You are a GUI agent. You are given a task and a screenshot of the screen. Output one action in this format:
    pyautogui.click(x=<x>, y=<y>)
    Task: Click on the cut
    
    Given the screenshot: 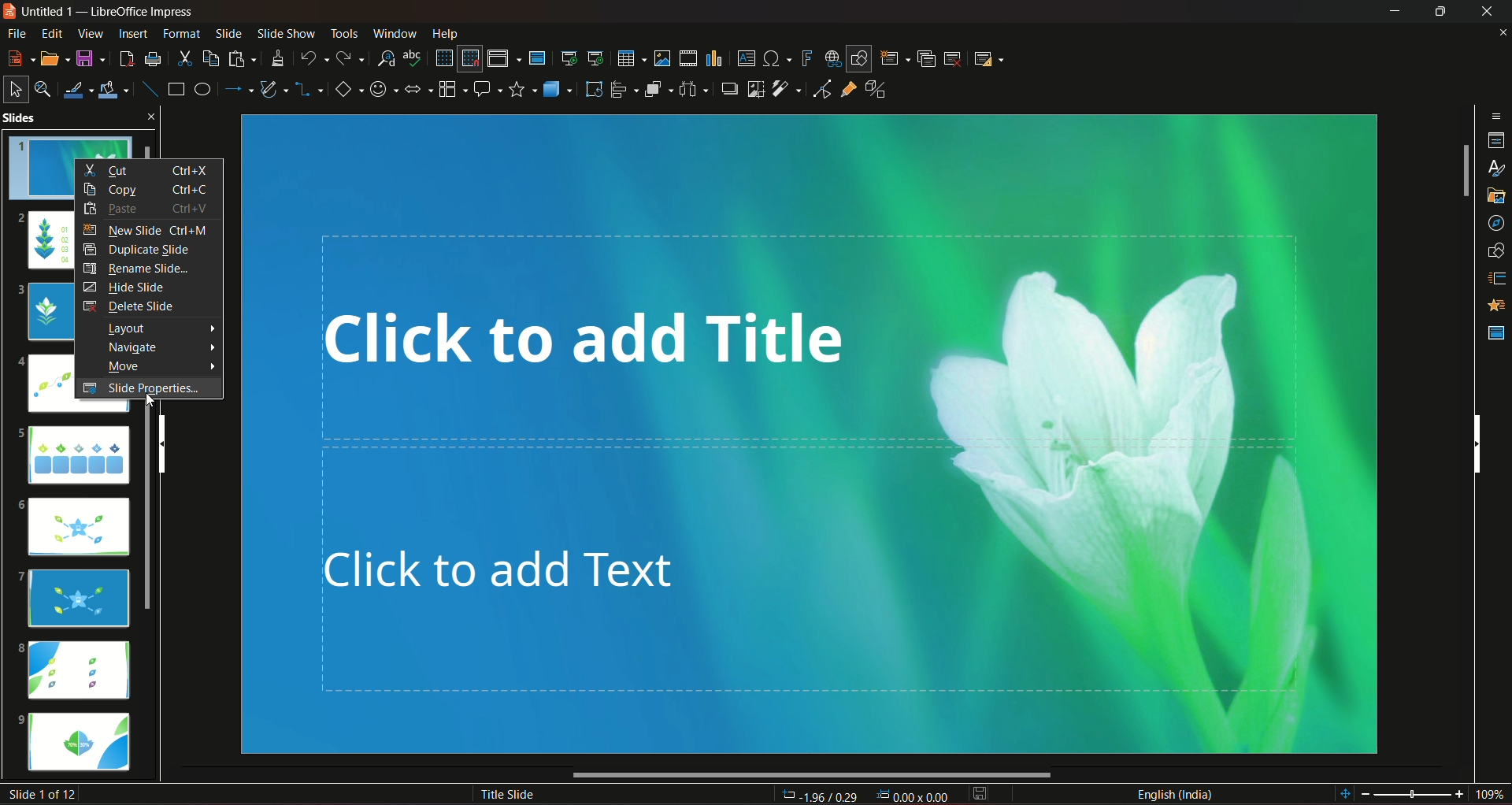 What is the action you would take?
    pyautogui.click(x=184, y=57)
    